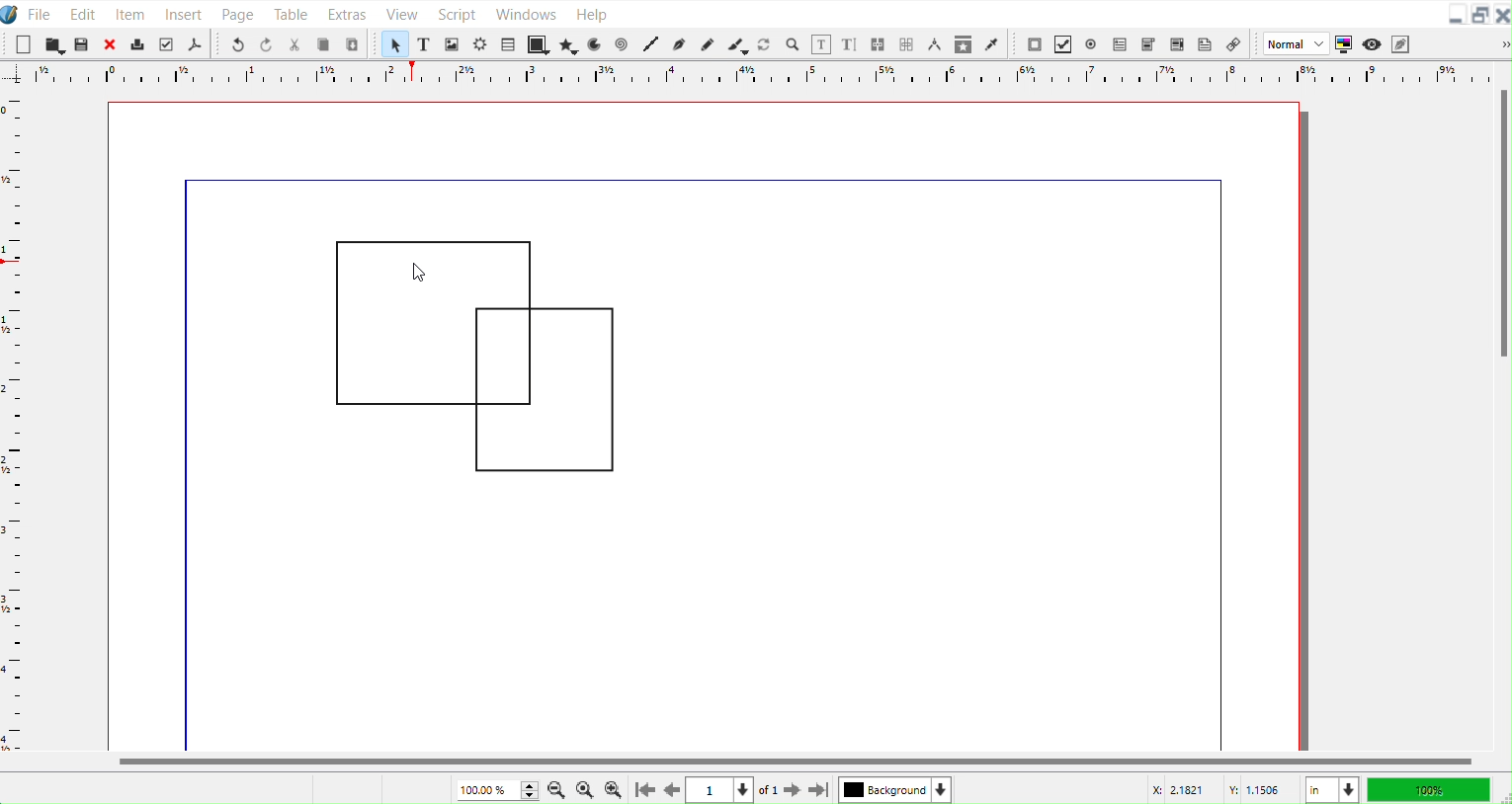 The image size is (1512, 804). Describe the element at coordinates (453, 43) in the screenshot. I see `Image Frame` at that location.